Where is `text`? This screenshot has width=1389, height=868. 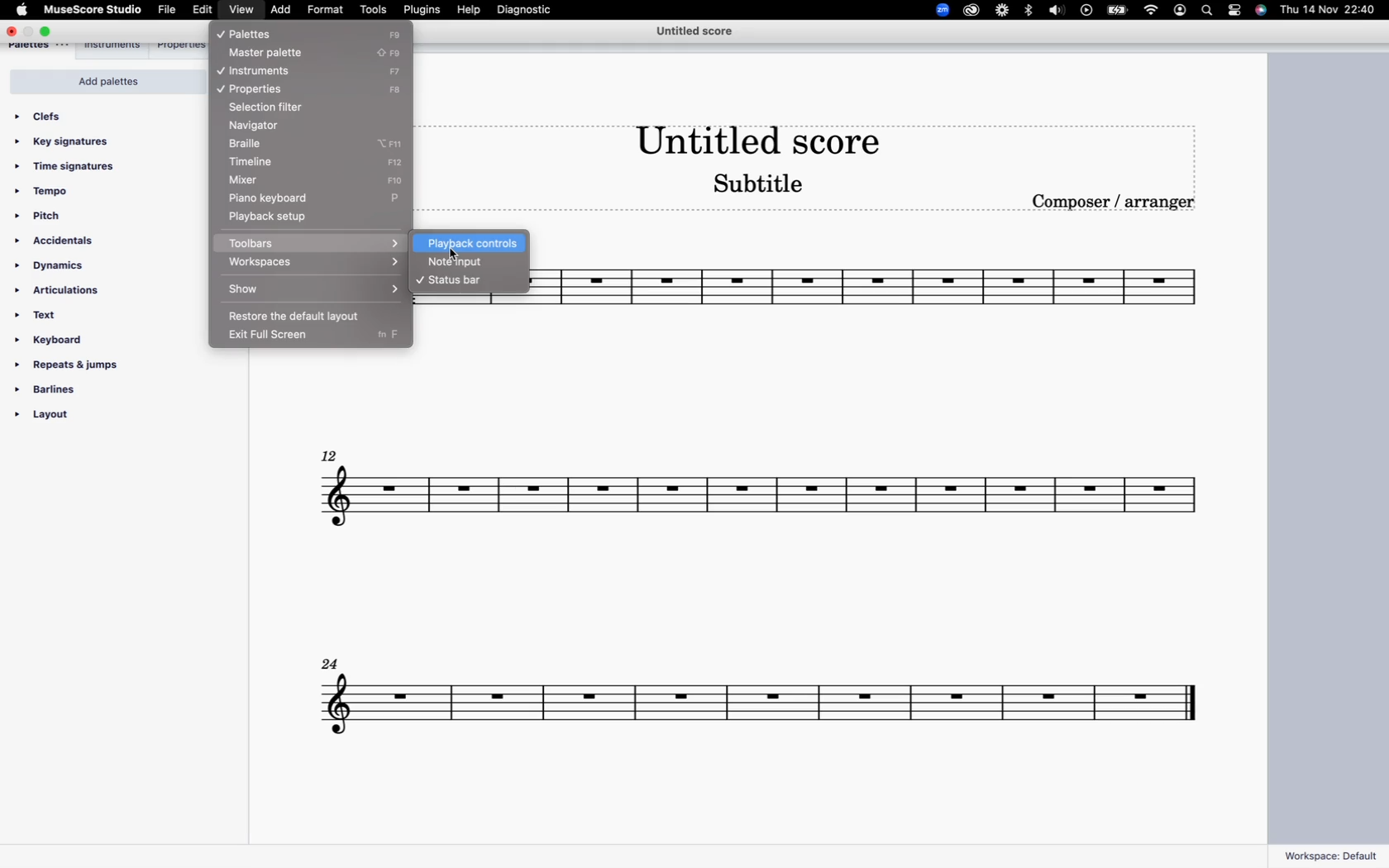 text is located at coordinates (41, 314).